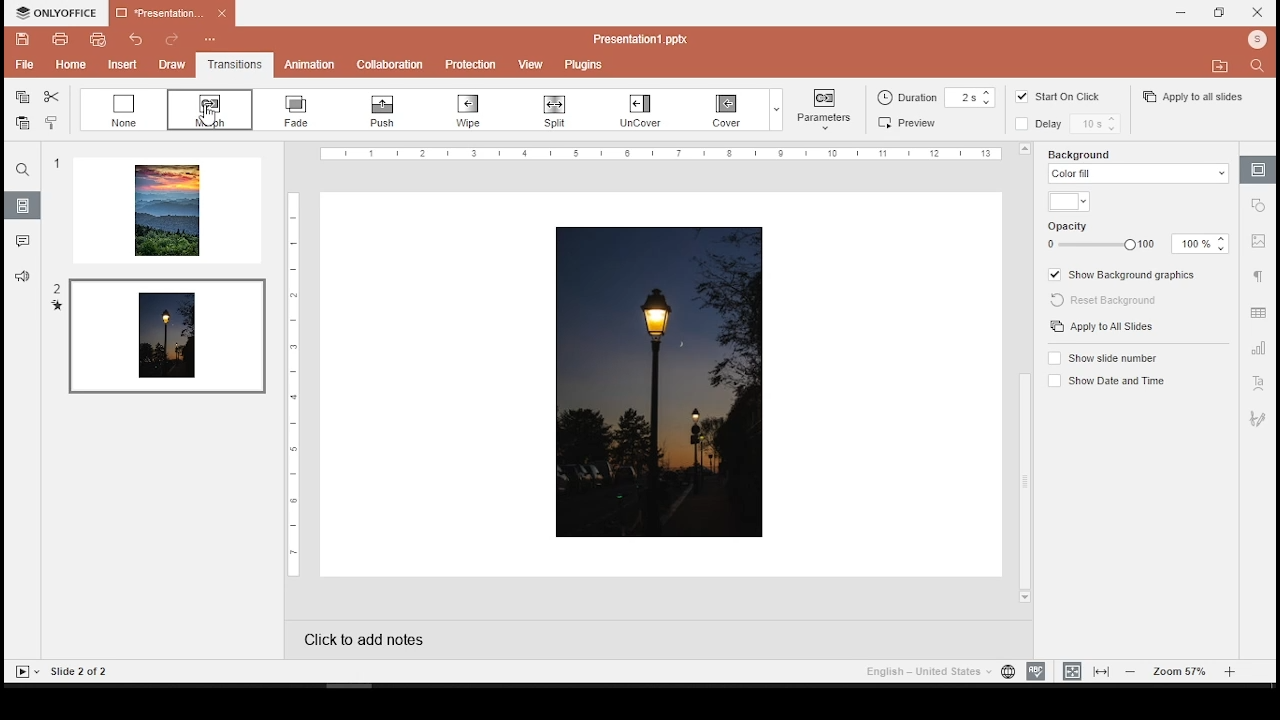 The image size is (1280, 720). Describe the element at coordinates (1260, 244) in the screenshot. I see `image settings` at that location.